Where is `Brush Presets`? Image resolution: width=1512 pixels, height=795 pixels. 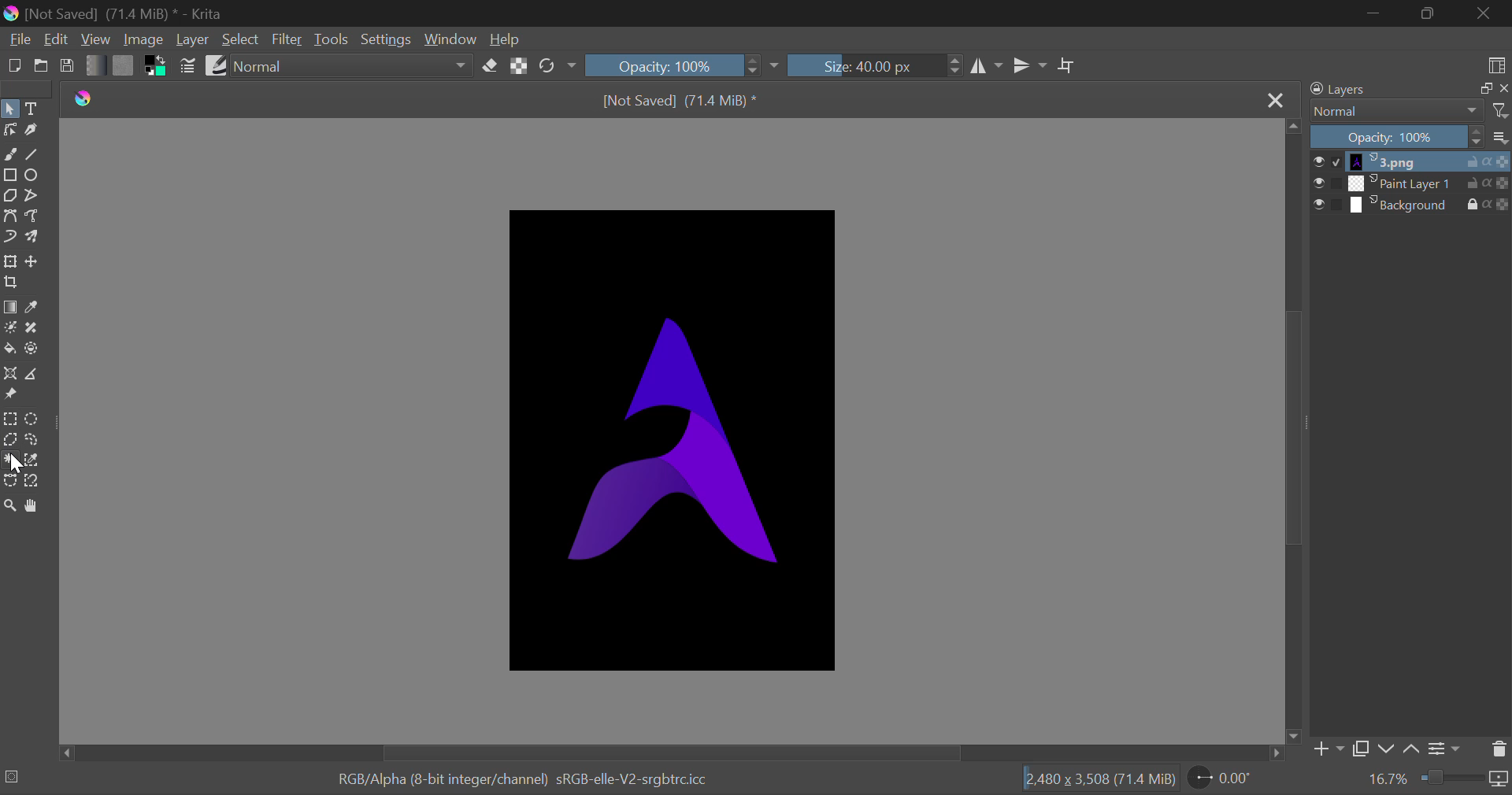
Brush Presets is located at coordinates (216, 65).